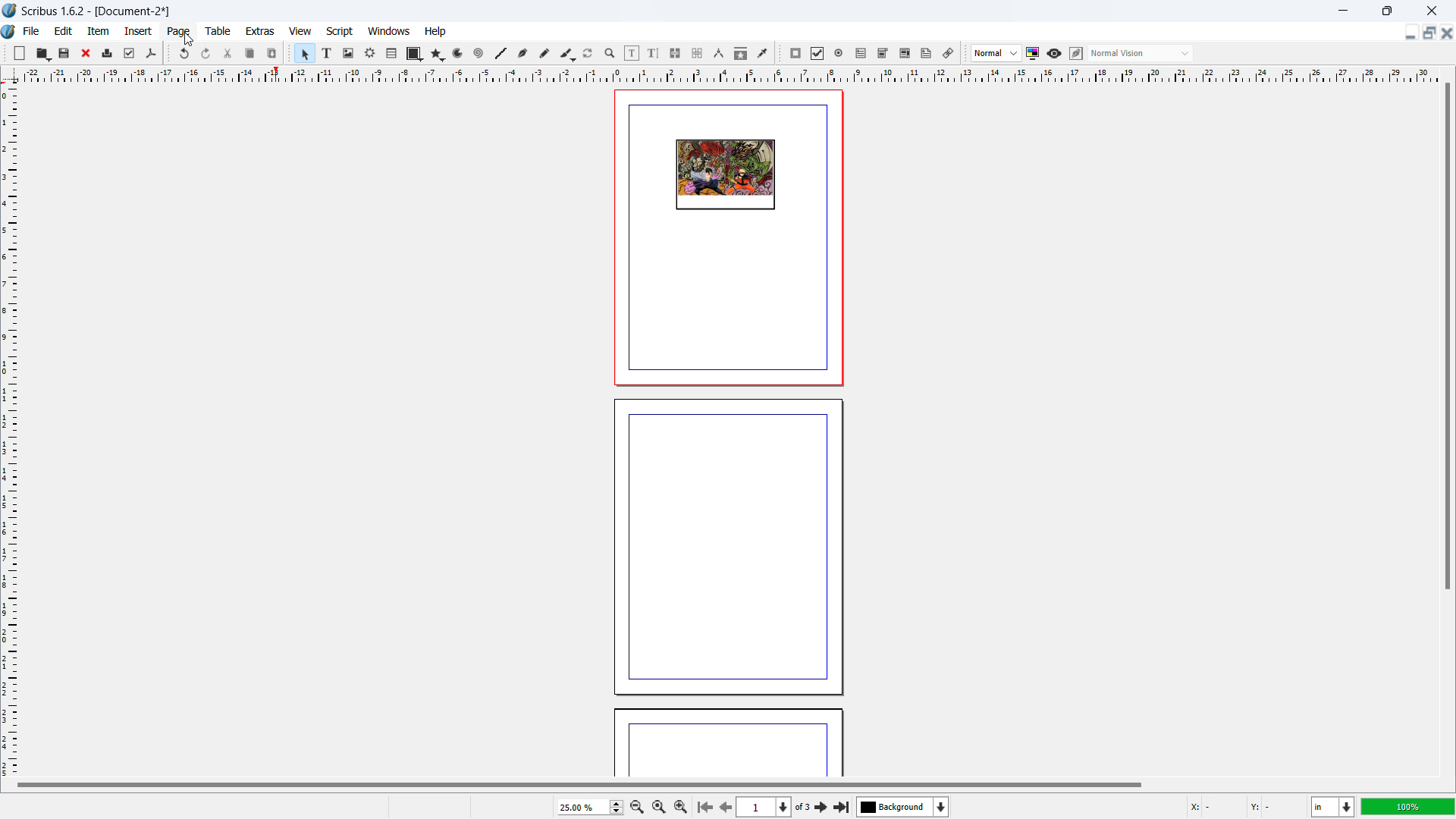 The image size is (1456, 819). What do you see at coordinates (180, 32) in the screenshot?
I see `page` at bounding box center [180, 32].